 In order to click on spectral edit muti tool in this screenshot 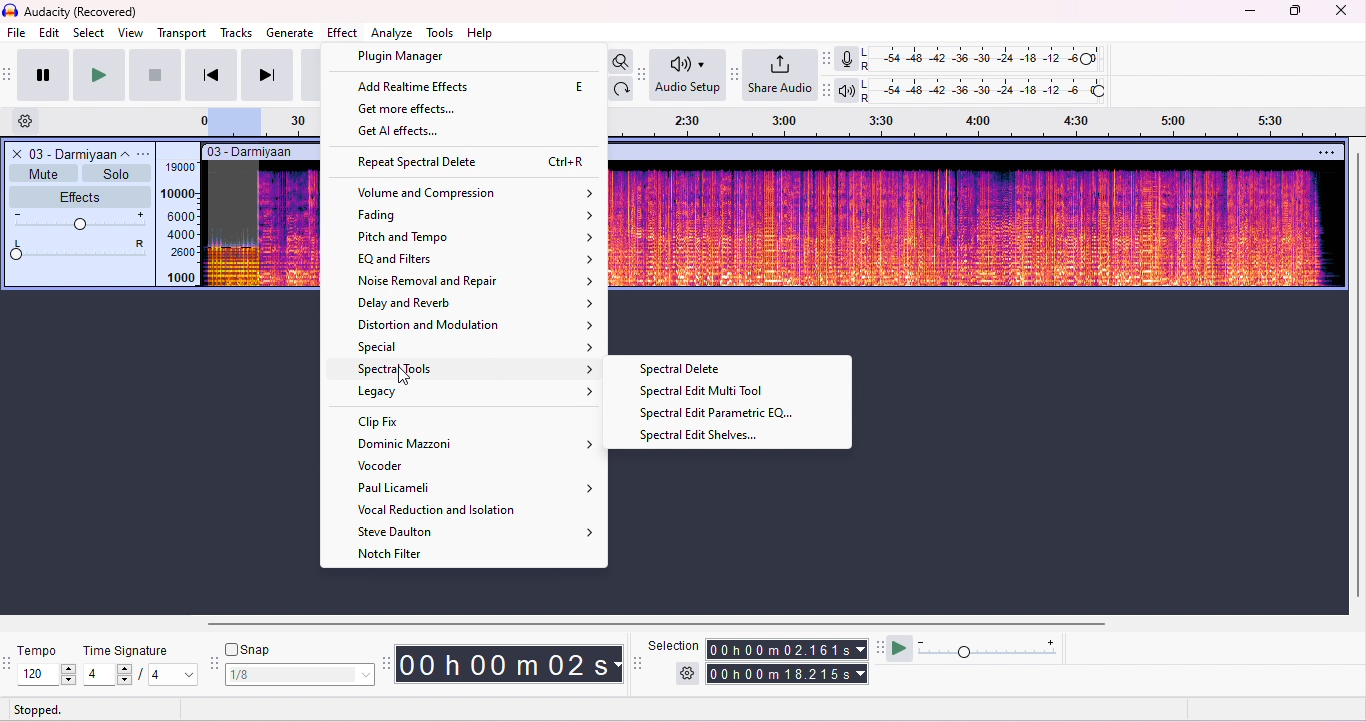, I will do `click(704, 392)`.